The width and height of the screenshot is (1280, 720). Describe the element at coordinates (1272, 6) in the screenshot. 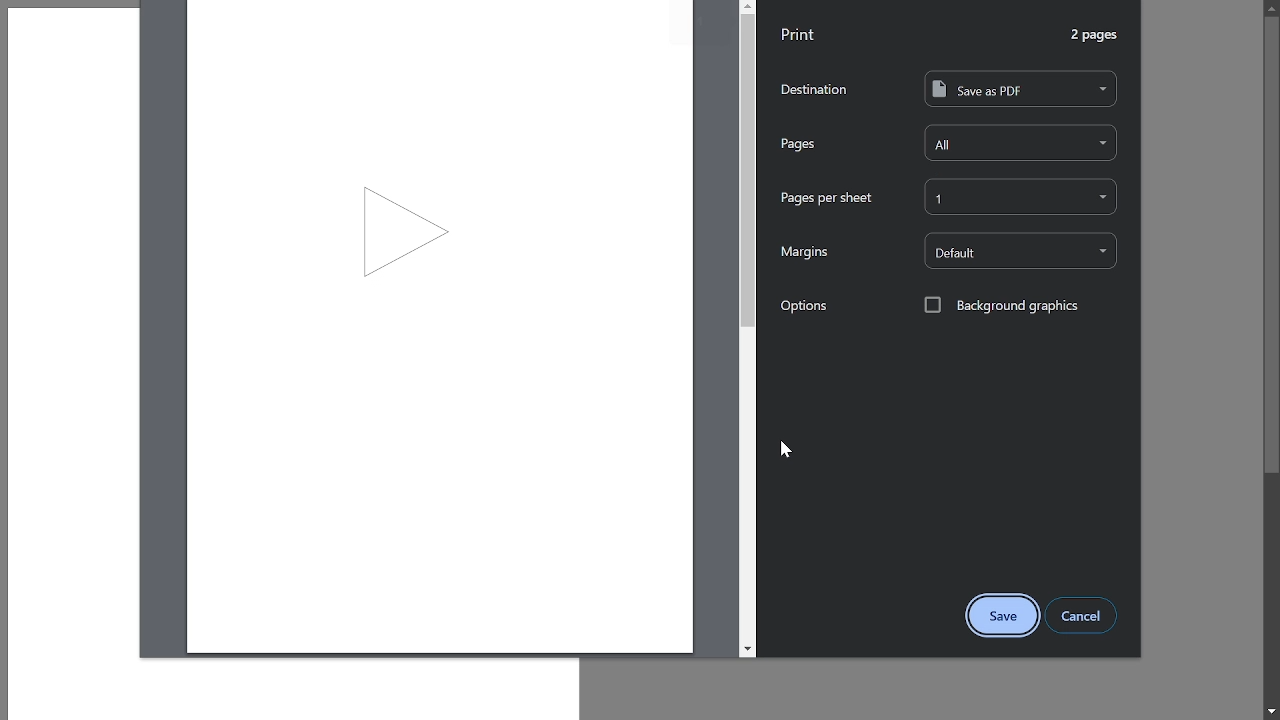

I see `Move up` at that location.